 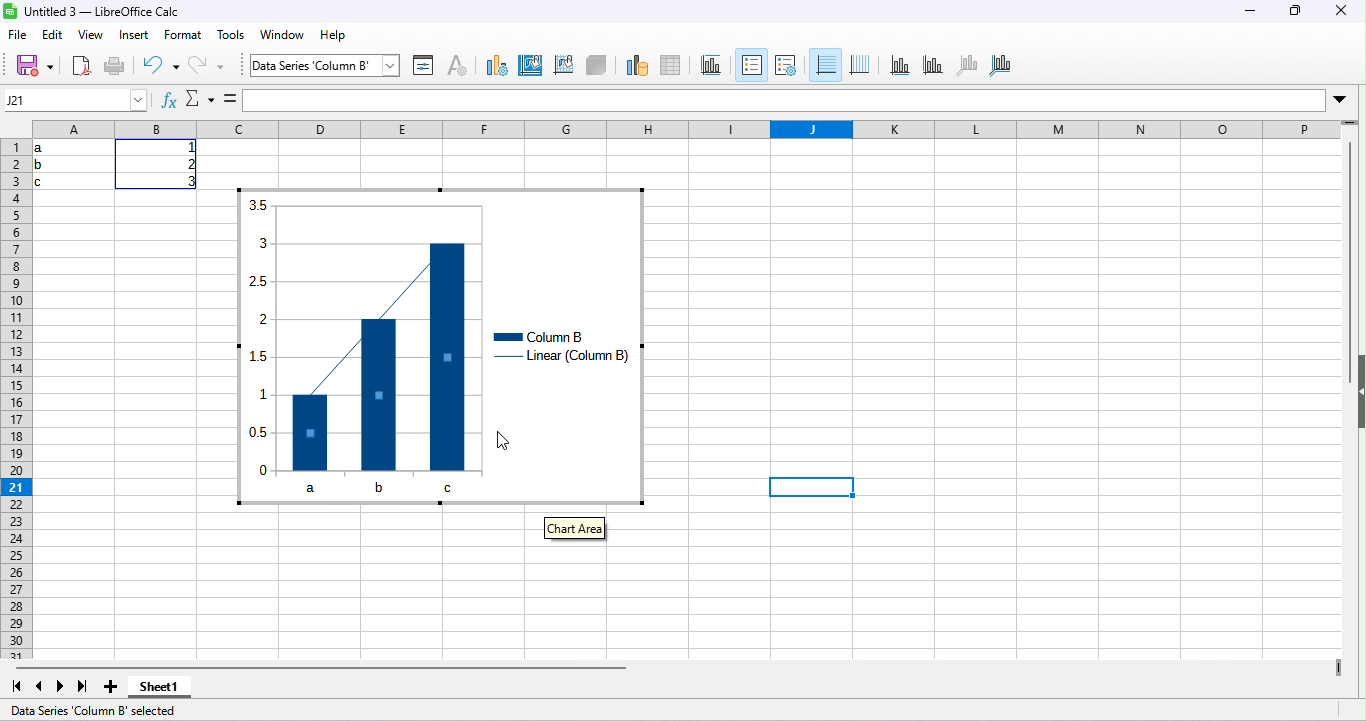 What do you see at coordinates (11, 686) in the screenshot?
I see `scroll to first sheet` at bounding box center [11, 686].